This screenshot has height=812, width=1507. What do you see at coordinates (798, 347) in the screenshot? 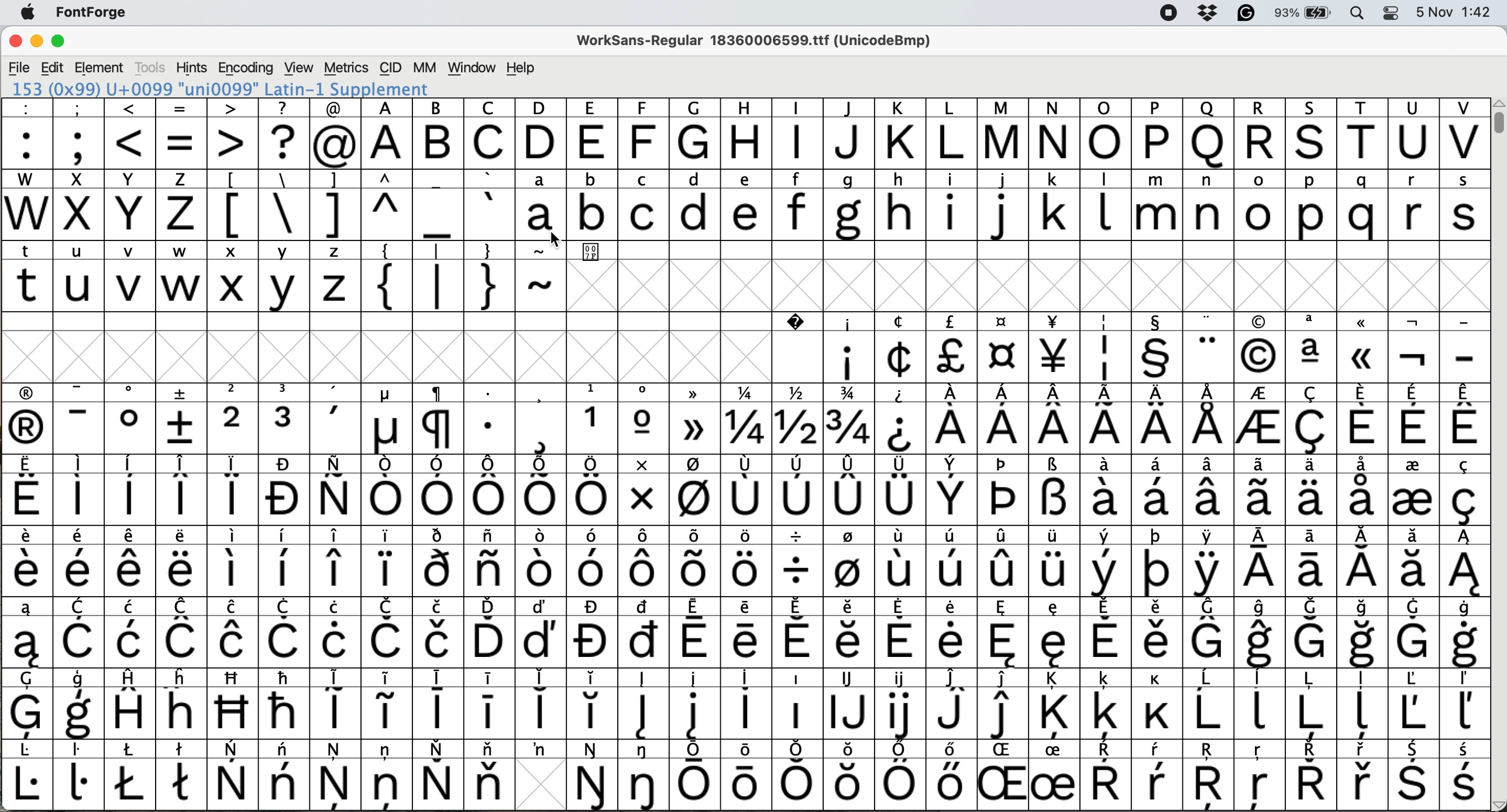
I see `Symbol` at bounding box center [798, 347].